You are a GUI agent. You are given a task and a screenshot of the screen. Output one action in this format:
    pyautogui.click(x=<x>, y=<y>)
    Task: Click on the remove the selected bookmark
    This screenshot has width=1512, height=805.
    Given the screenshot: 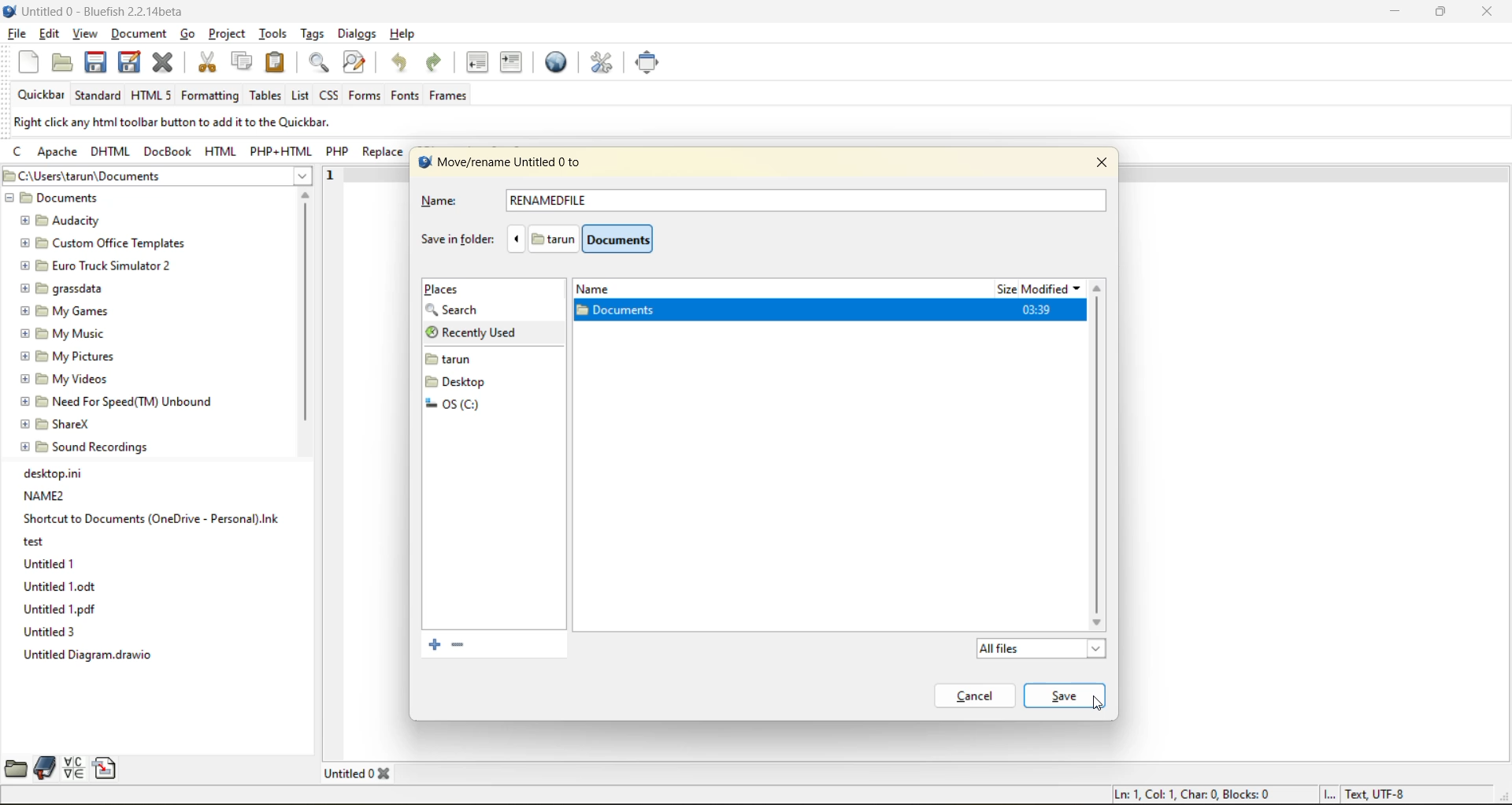 What is the action you would take?
    pyautogui.click(x=457, y=647)
    